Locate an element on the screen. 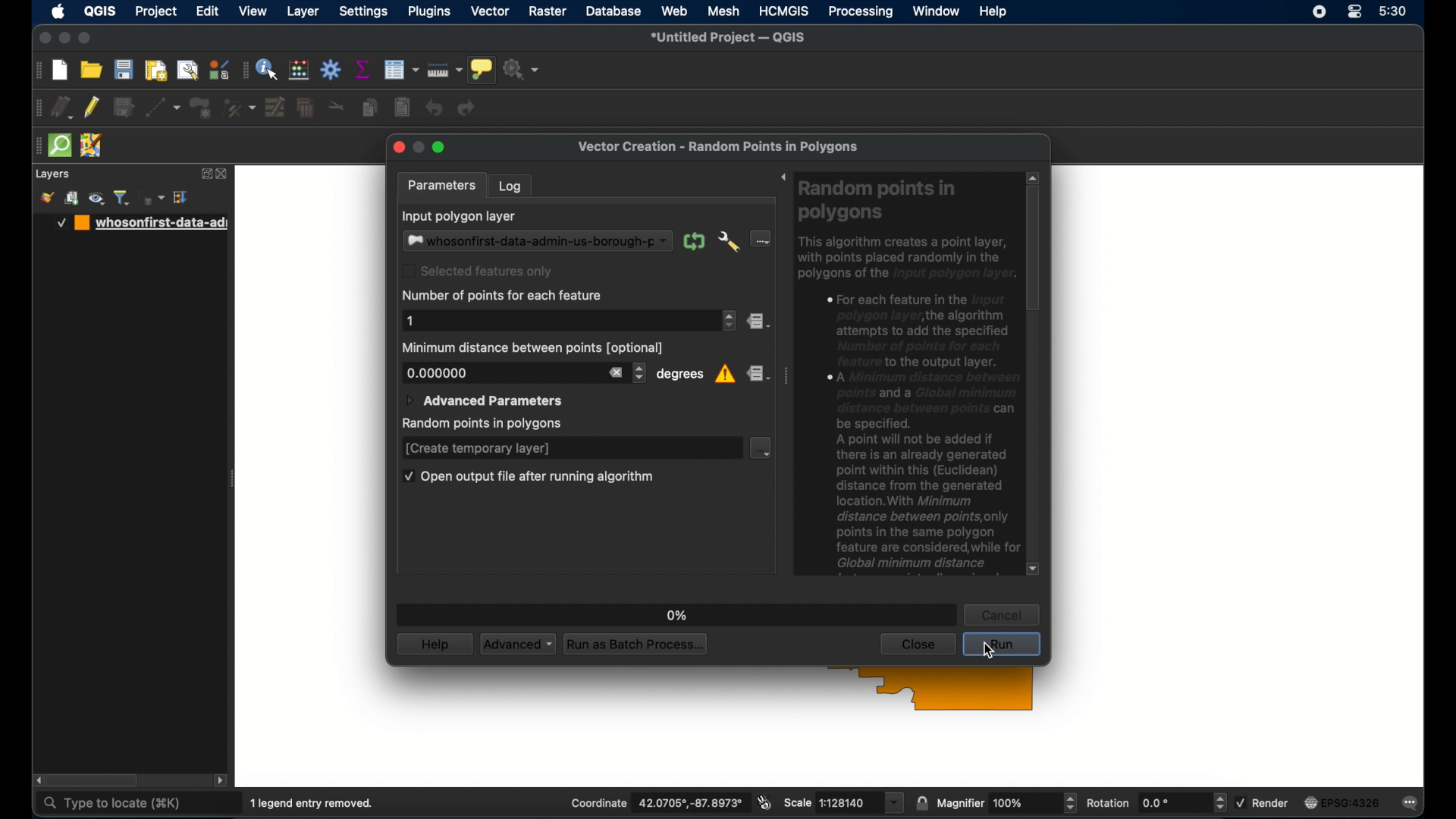 The height and width of the screenshot is (819, 1456). modify attributes is located at coordinates (275, 106).